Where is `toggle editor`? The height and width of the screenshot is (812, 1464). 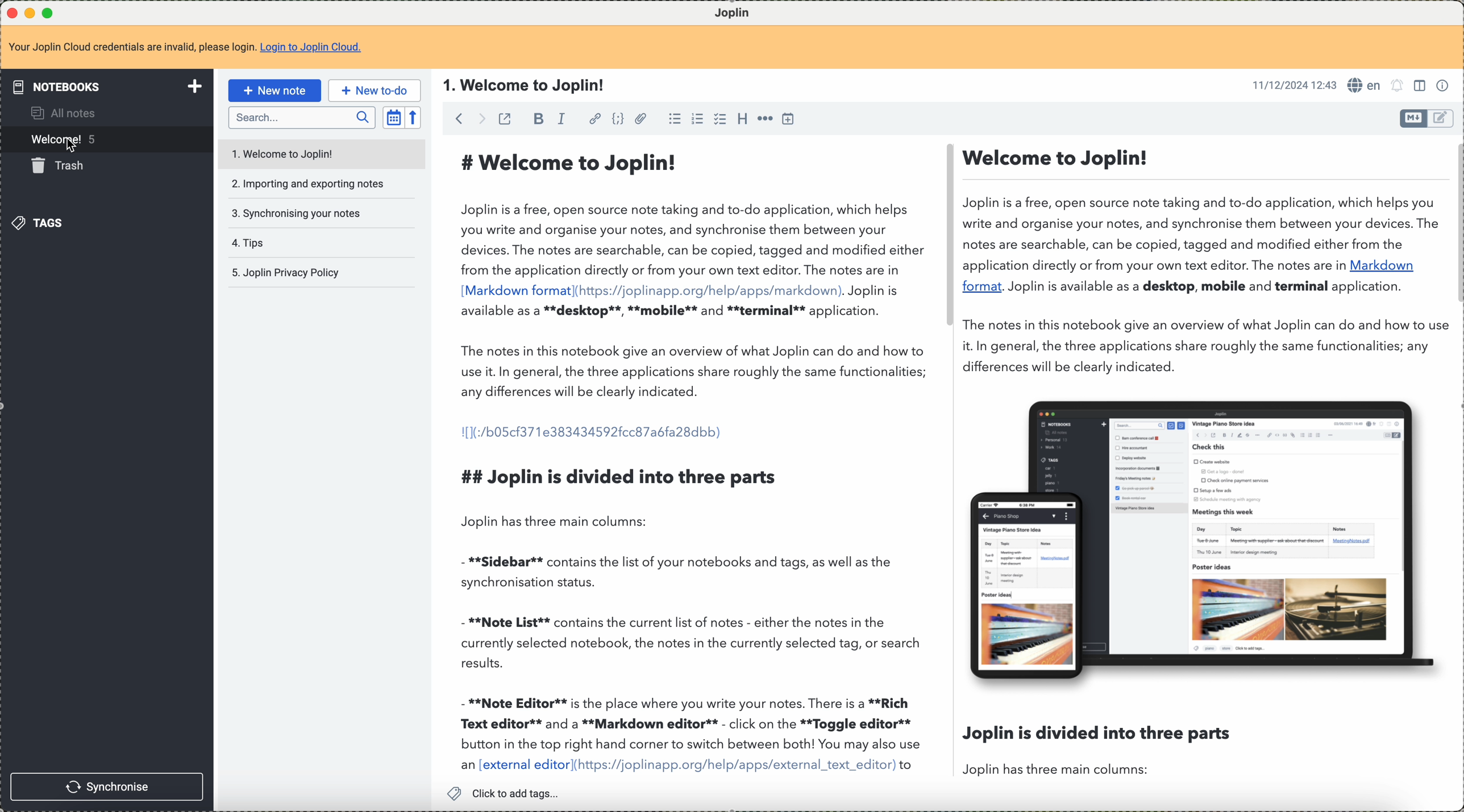
toggle editor is located at coordinates (1442, 118).